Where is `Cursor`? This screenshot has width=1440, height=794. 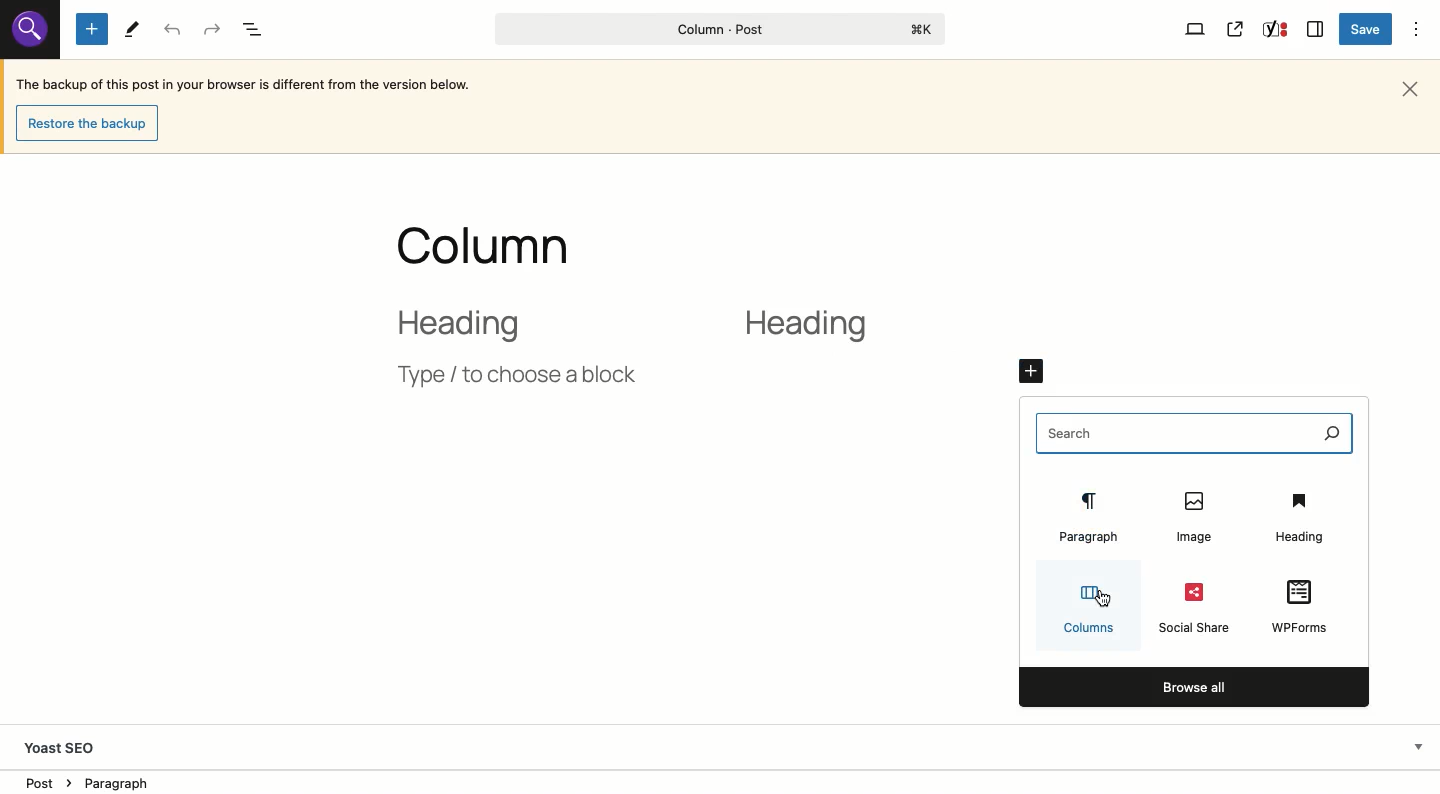
Cursor is located at coordinates (1102, 601).